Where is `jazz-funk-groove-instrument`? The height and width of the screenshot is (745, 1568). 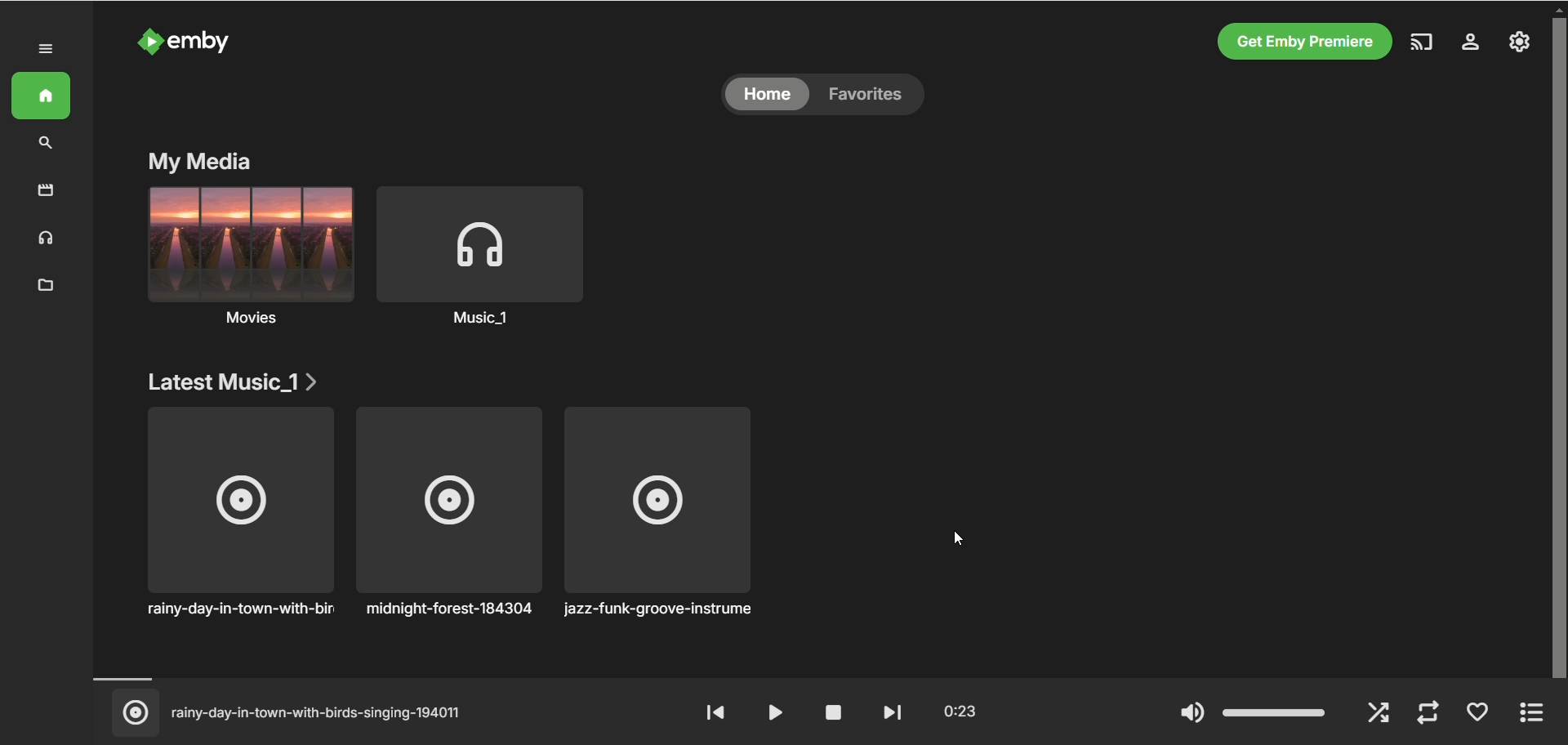 jazz-funk-groove-instrument is located at coordinates (660, 512).